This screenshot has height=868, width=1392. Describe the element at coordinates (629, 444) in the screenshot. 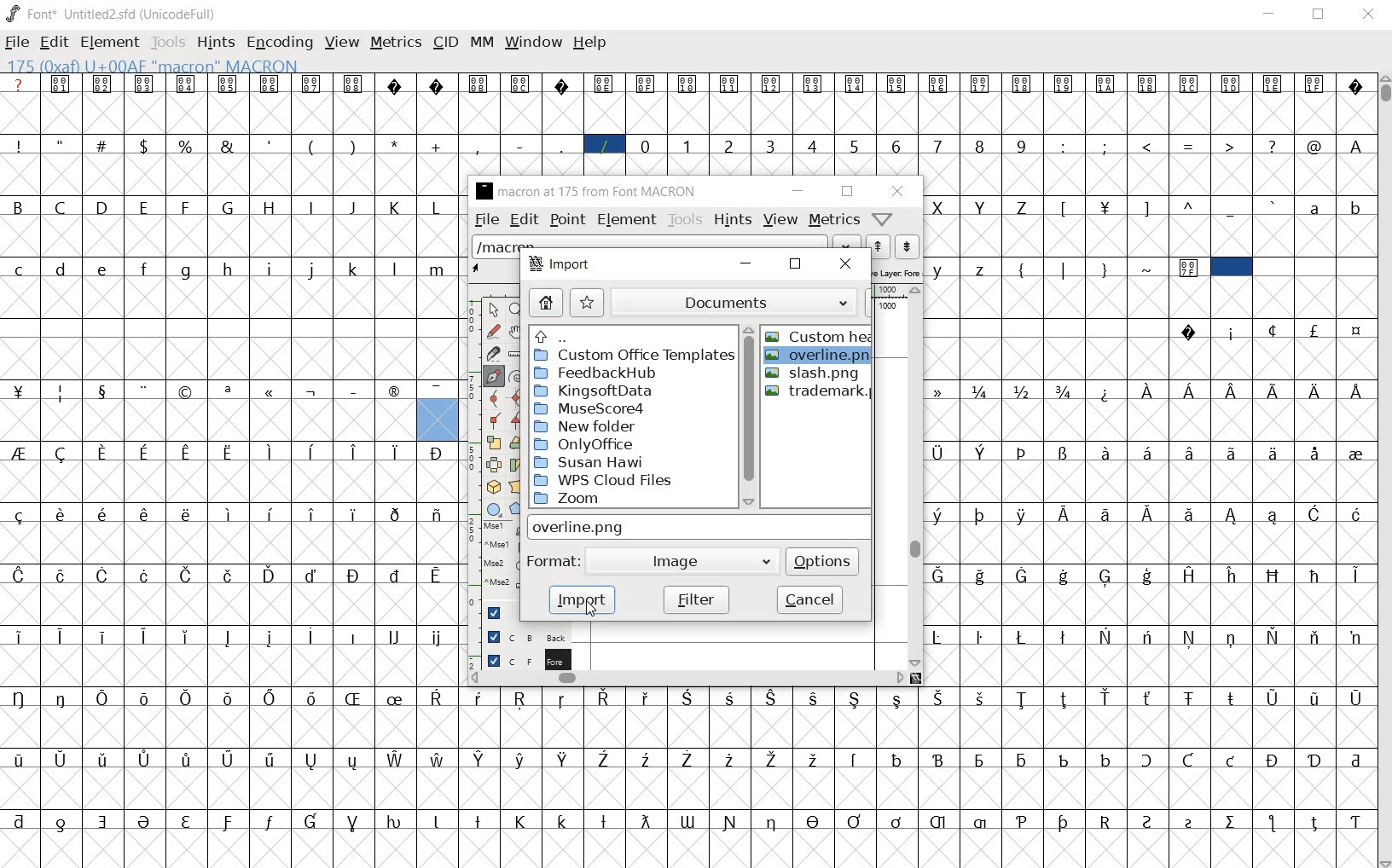

I see `OnlyOffice` at that location.